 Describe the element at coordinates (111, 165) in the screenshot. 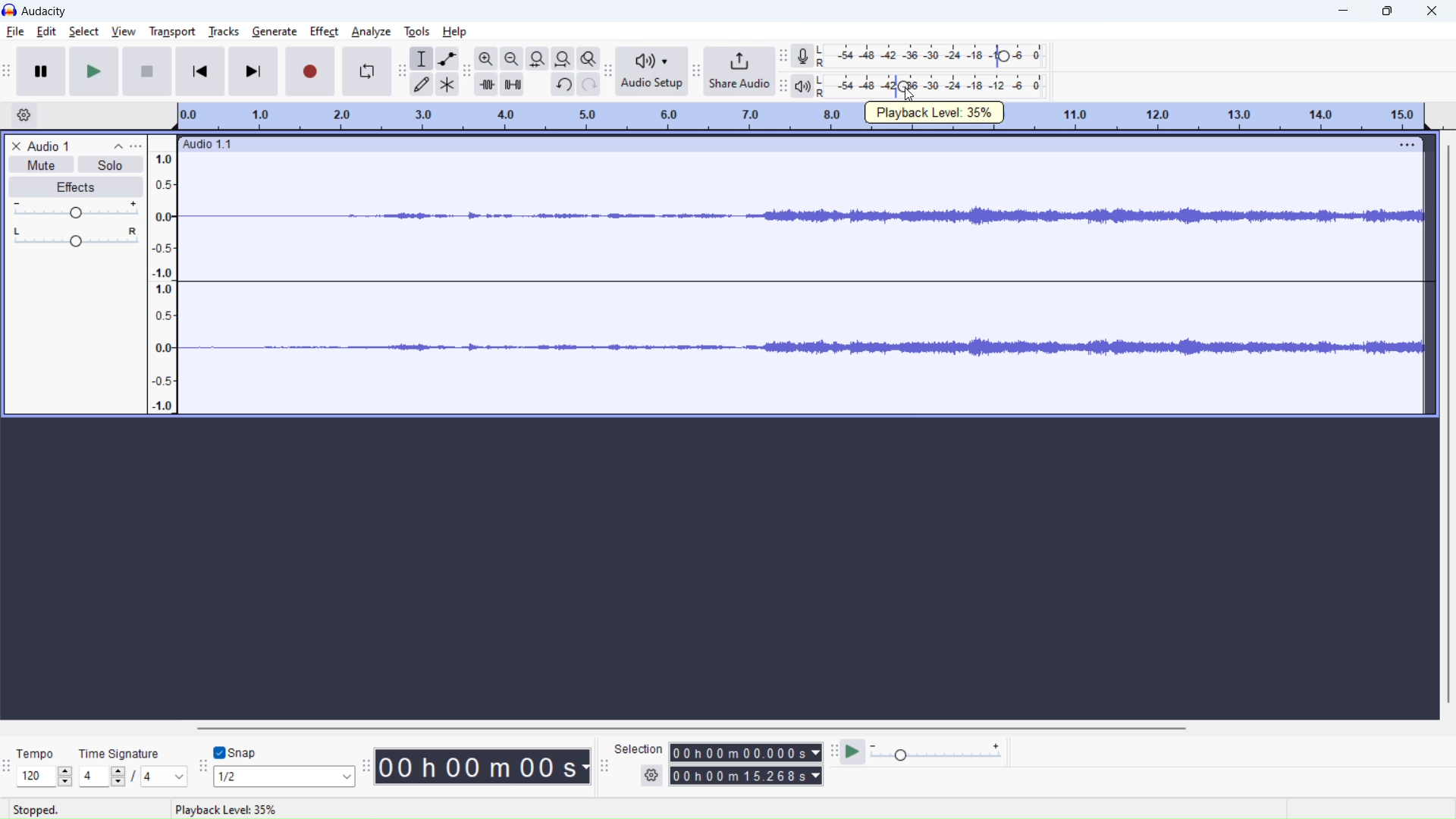

I see `solo` at that location.